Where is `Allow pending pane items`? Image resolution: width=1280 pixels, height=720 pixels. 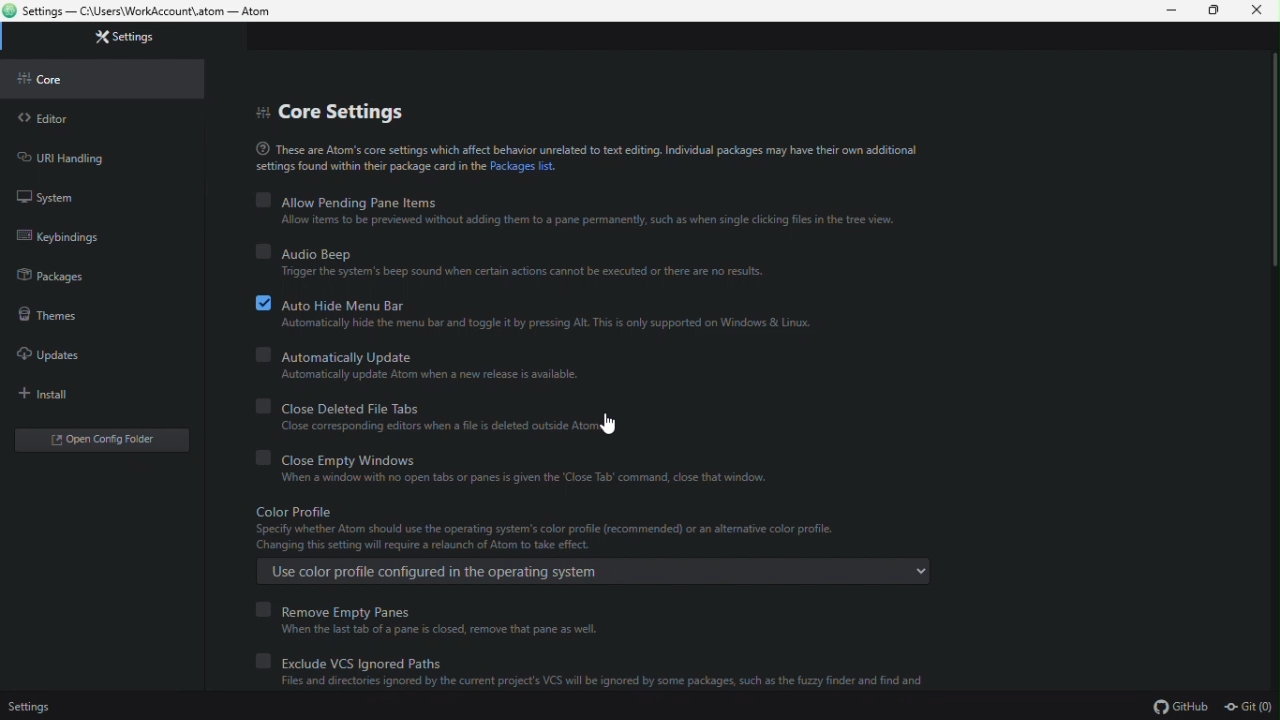 Allow pending pane items is located at coordinates (356, 198).